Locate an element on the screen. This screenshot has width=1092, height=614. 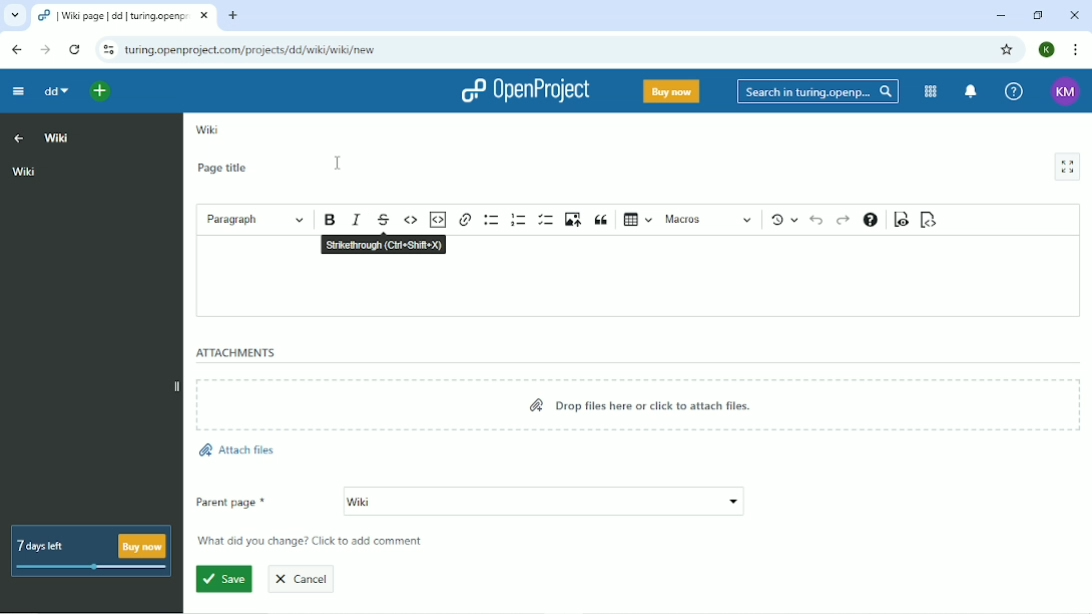
Modules is located at coordinates (929, 92).